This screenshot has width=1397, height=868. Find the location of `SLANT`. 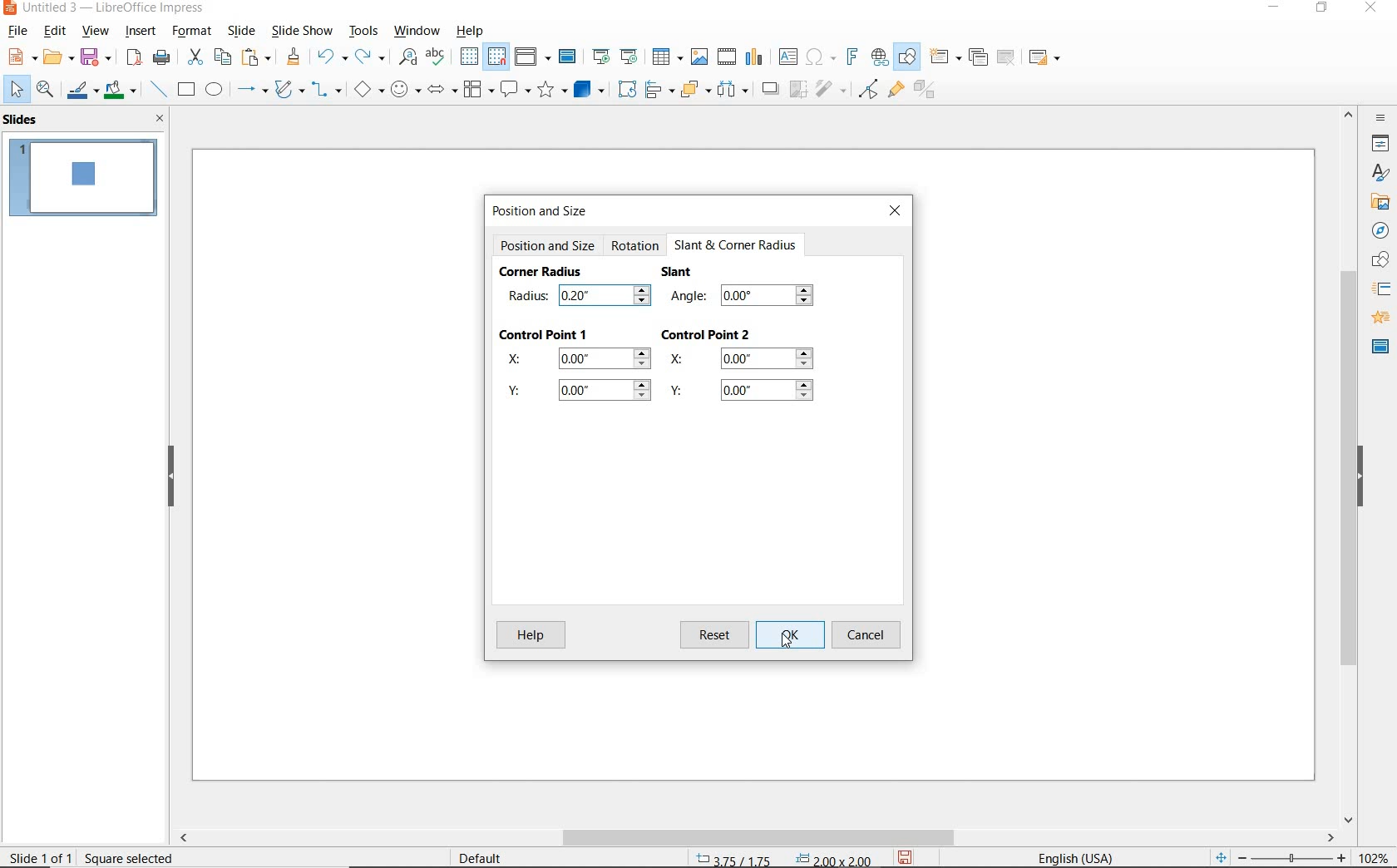

SLANT is located at coordinates (678, 274).